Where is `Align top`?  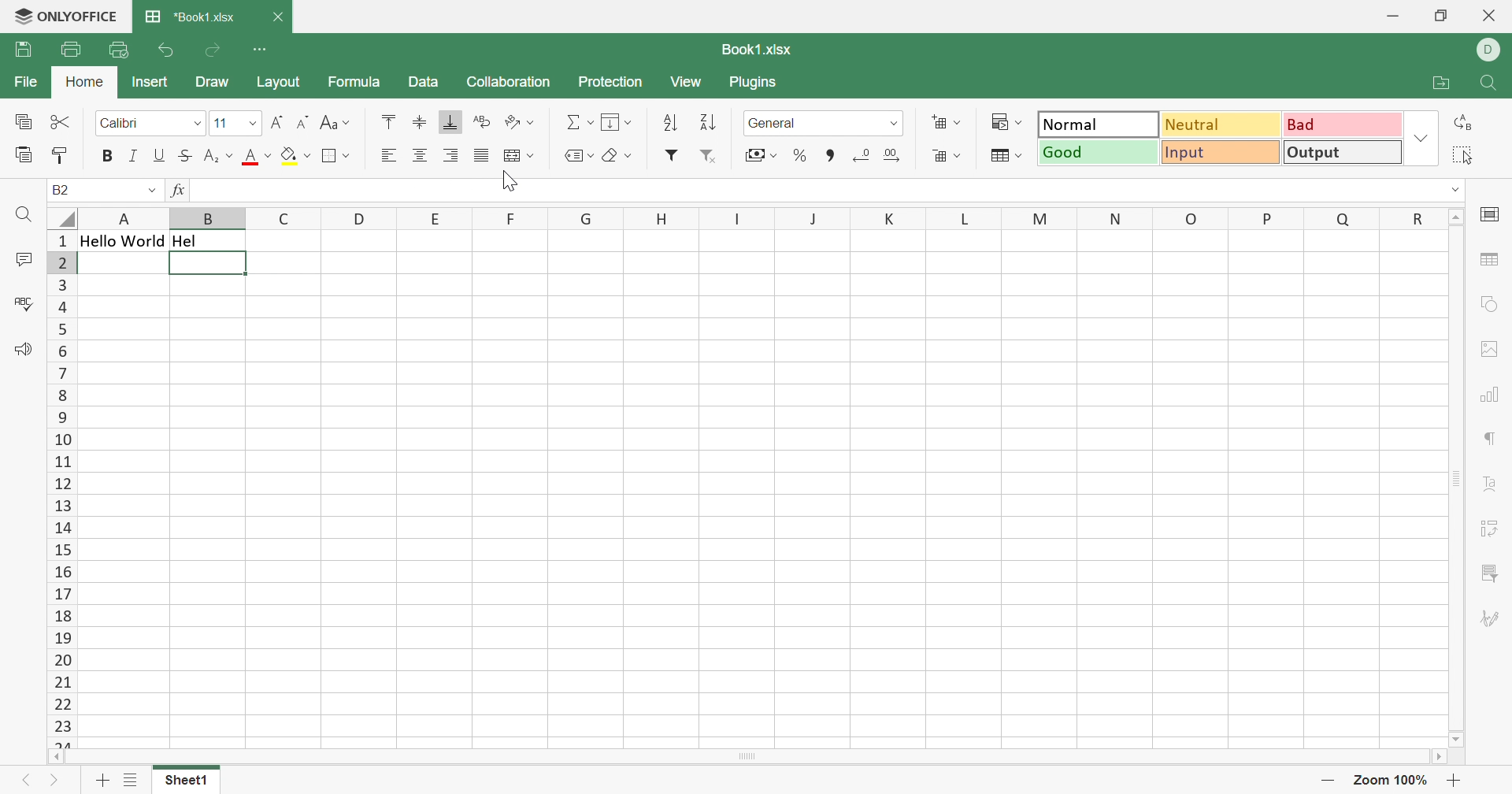 Align top is located at coordinates (391, 121).